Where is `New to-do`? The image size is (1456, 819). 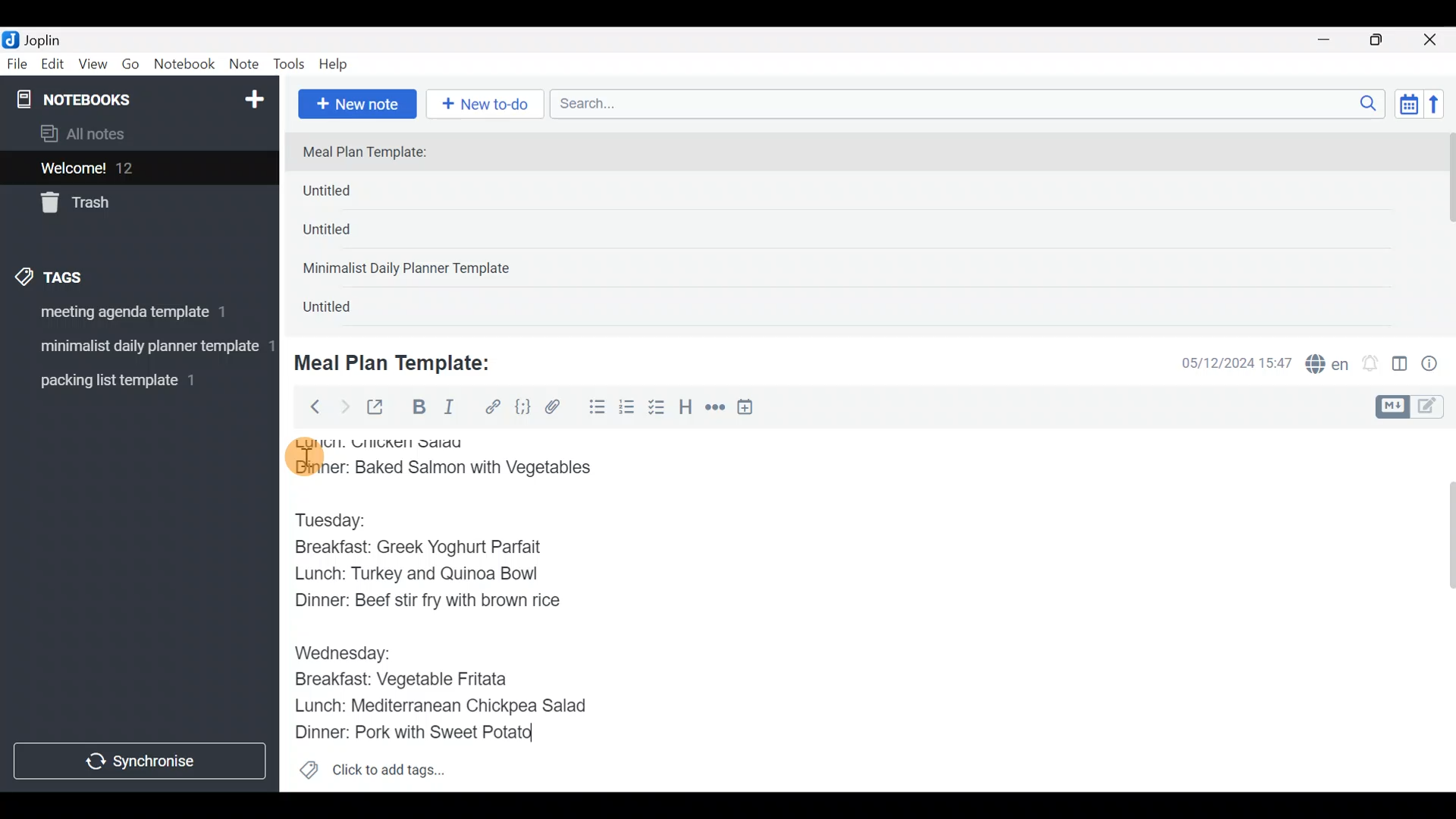
New to-do is located at coordinates (488, 105).